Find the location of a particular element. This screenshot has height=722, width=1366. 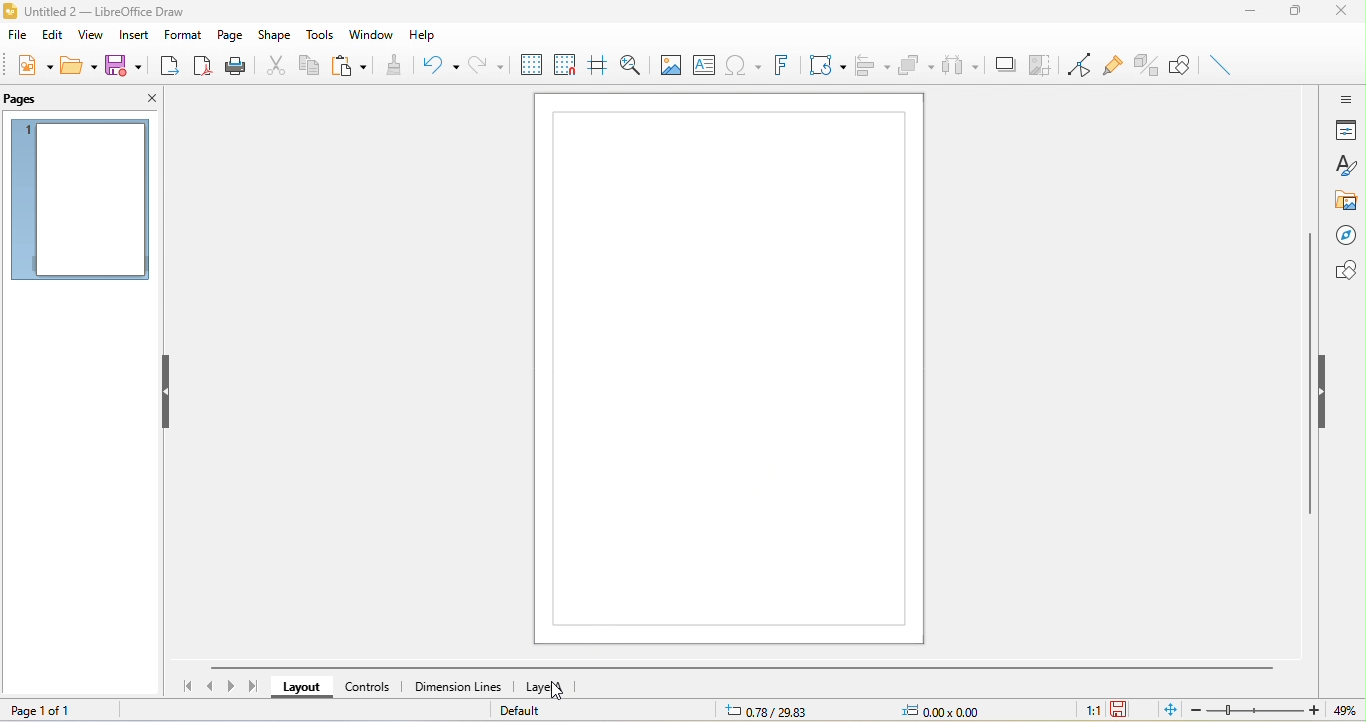

layer is located at coordinates (559, 688).